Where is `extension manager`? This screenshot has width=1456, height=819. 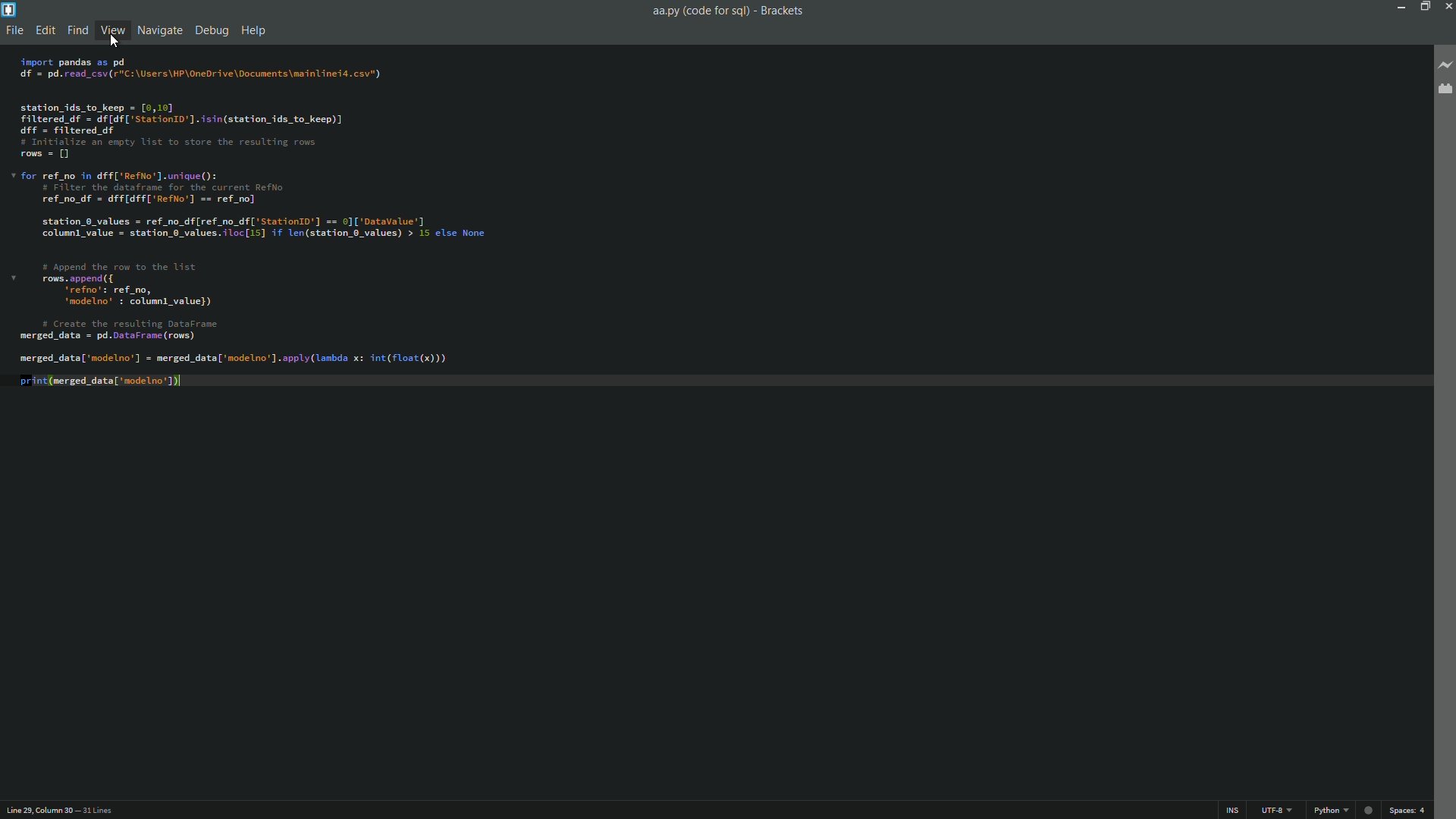 extension manager is located at coordinates (1447, 90).